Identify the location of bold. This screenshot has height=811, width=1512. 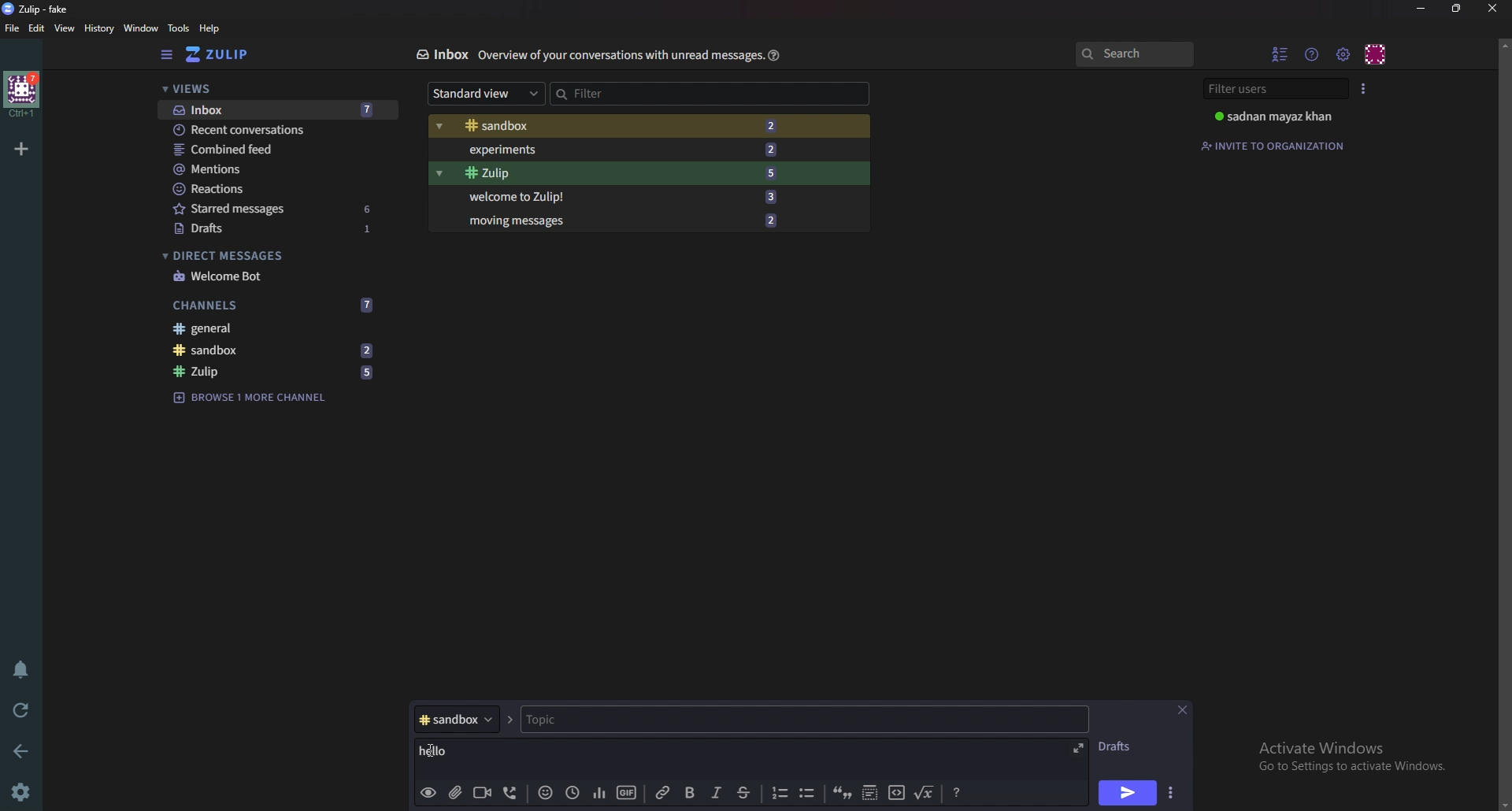
(691, 794).